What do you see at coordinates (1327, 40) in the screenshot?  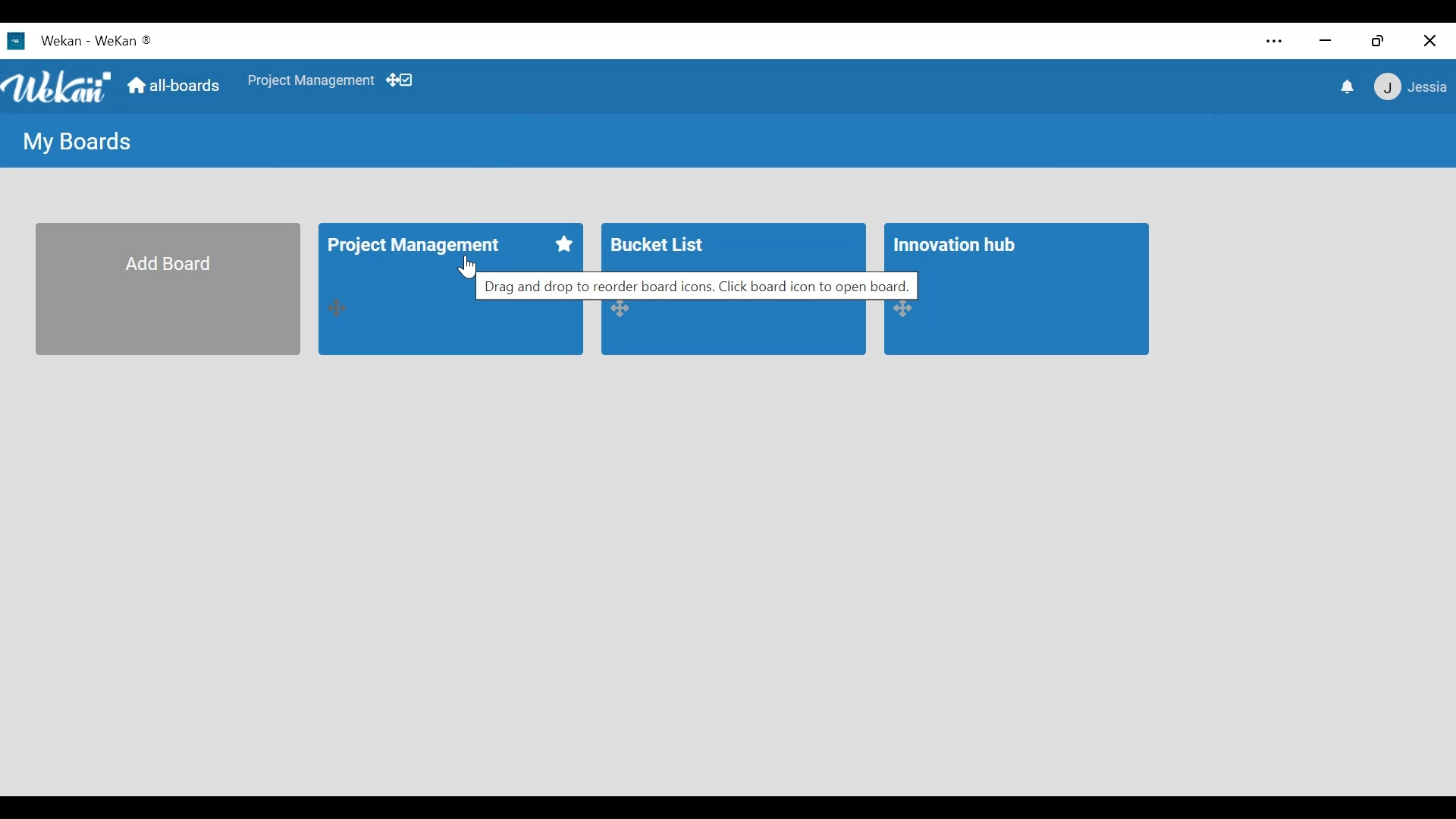 I see `minimize` at bounding box center [1327, 40].